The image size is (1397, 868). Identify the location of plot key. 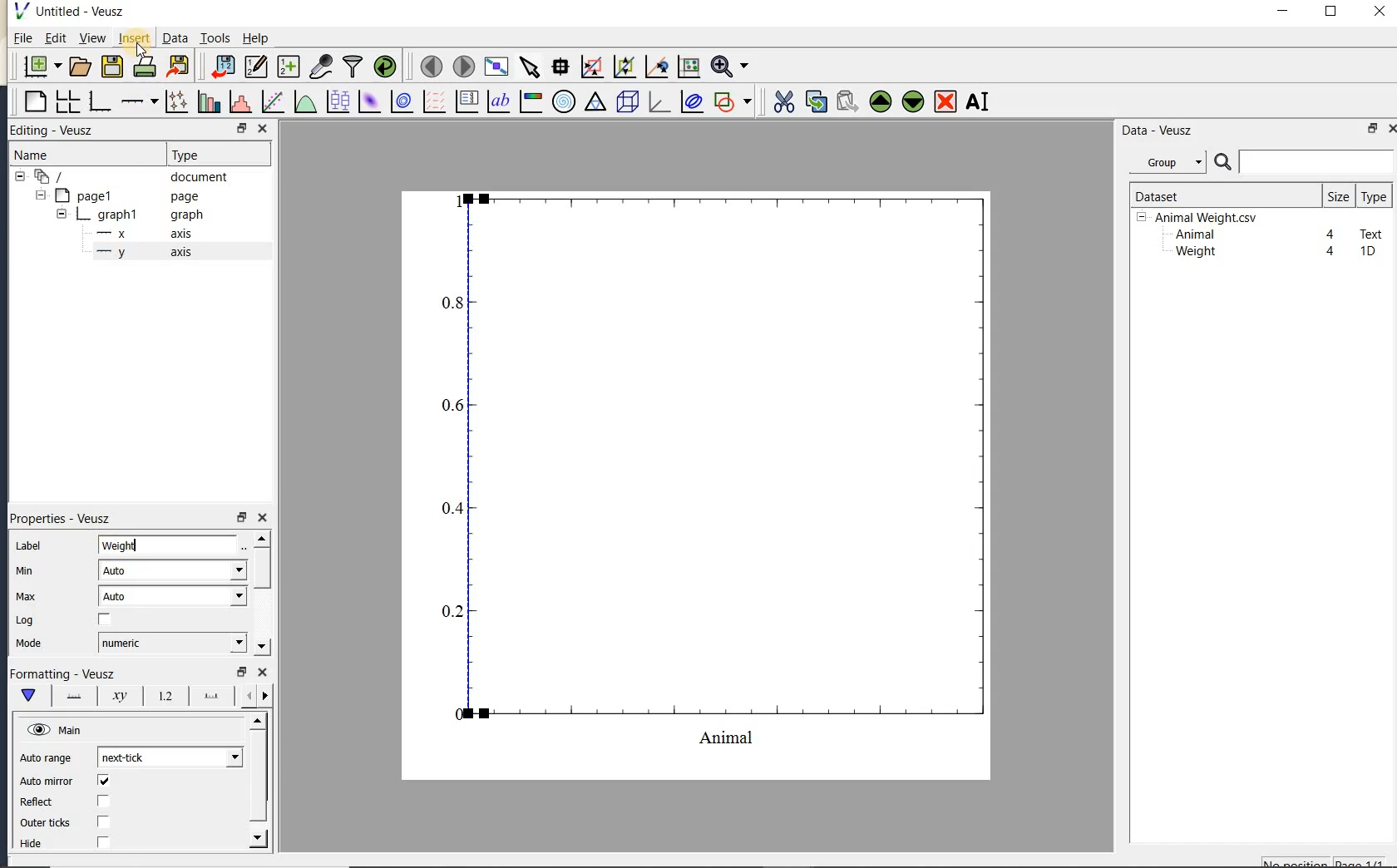
(465, 101).